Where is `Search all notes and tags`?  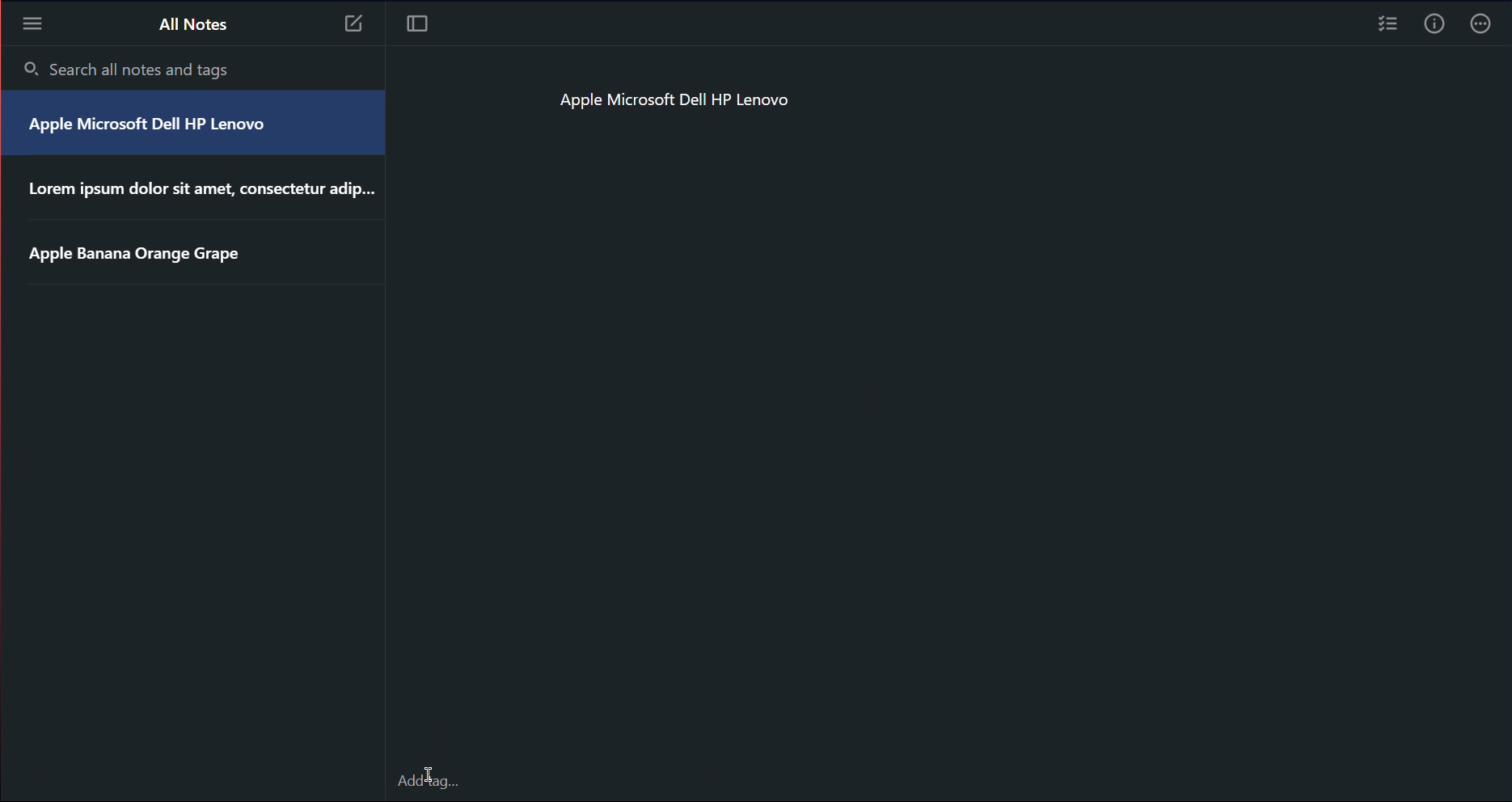 Search all notes and tags is located at coordinates (130, 70).